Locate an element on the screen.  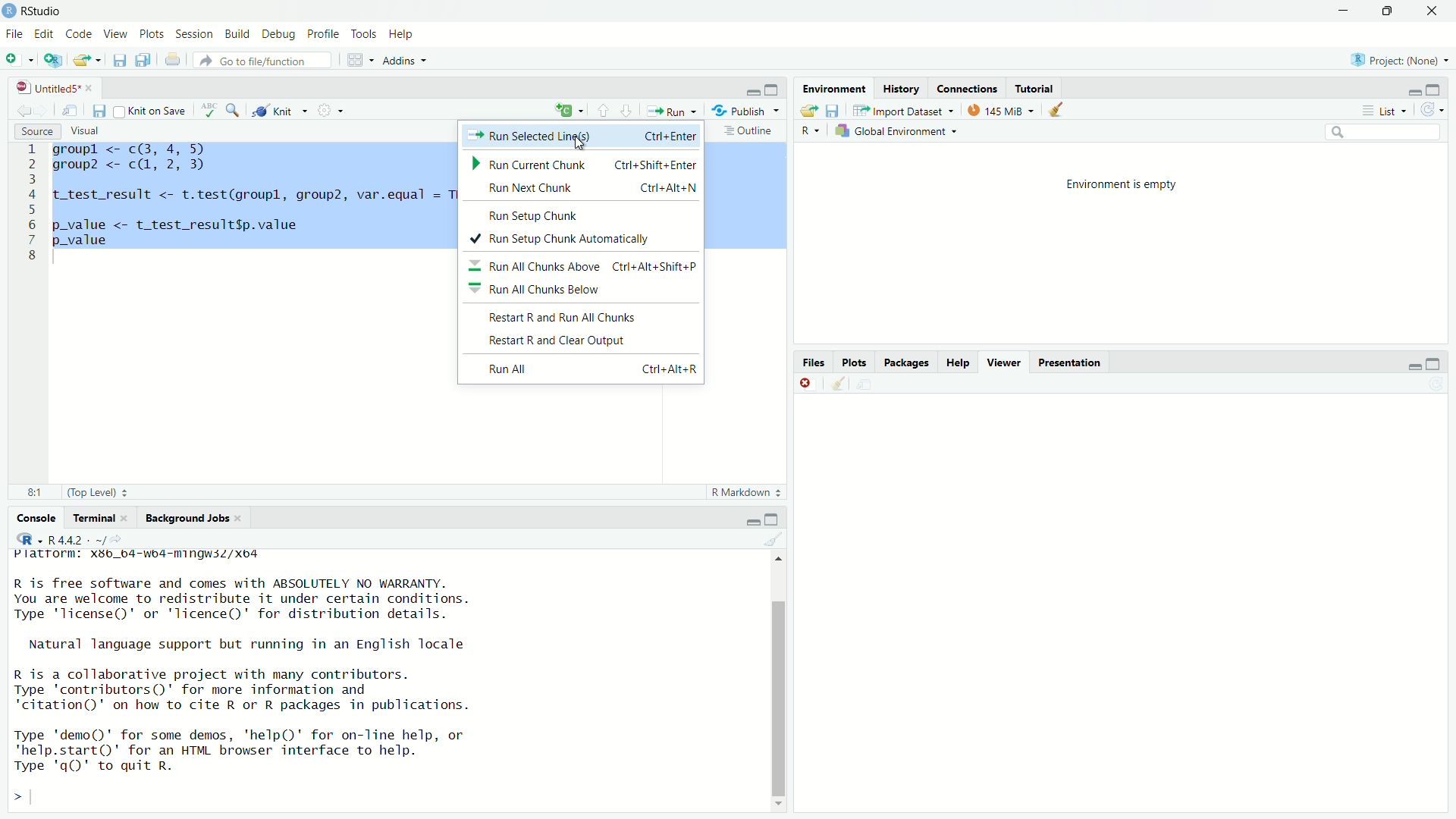
8:1 is located at coordinates (30, 492).